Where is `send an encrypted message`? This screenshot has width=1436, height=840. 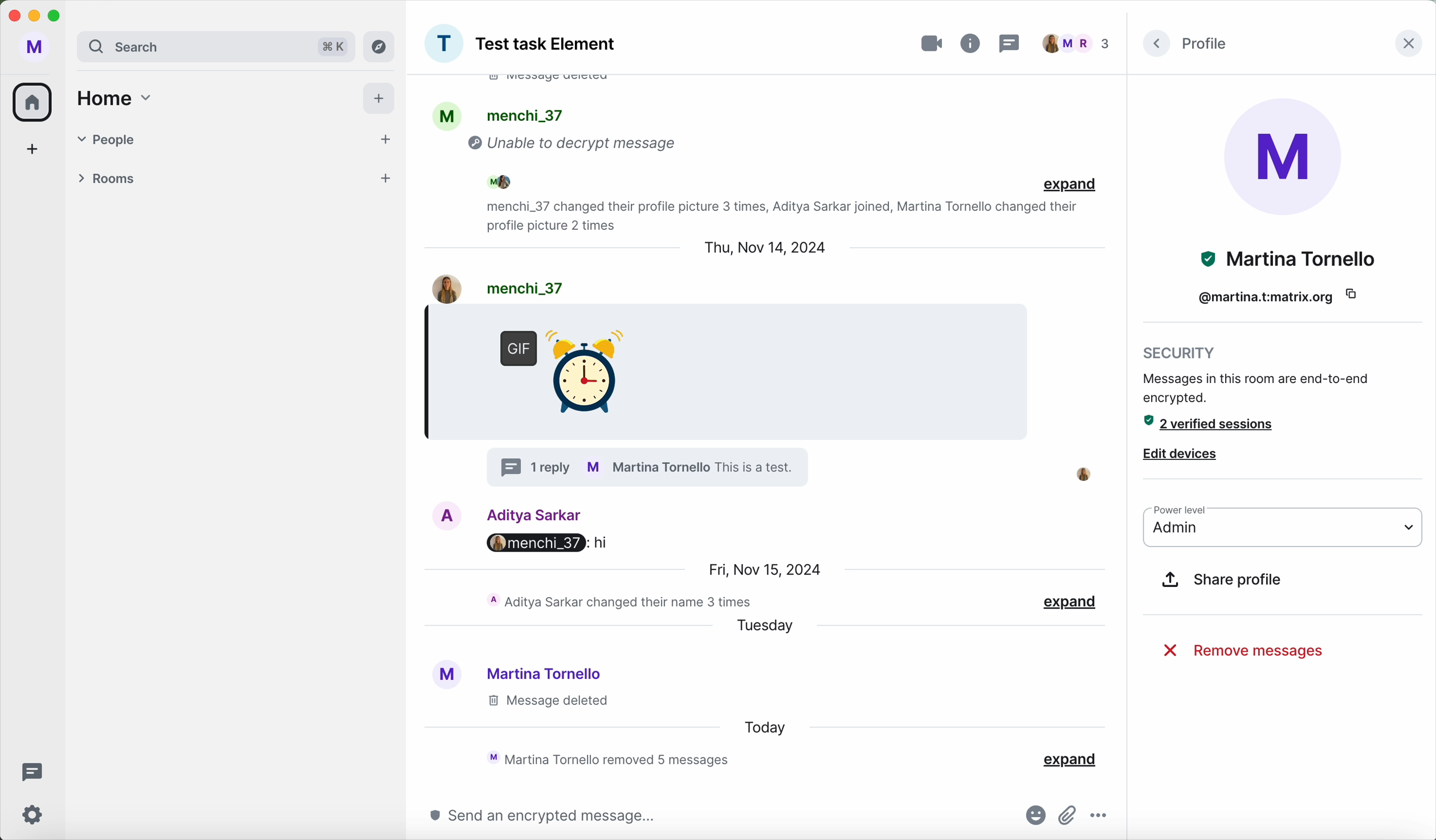
send an encrypted message is located at coordinates (534, 816).